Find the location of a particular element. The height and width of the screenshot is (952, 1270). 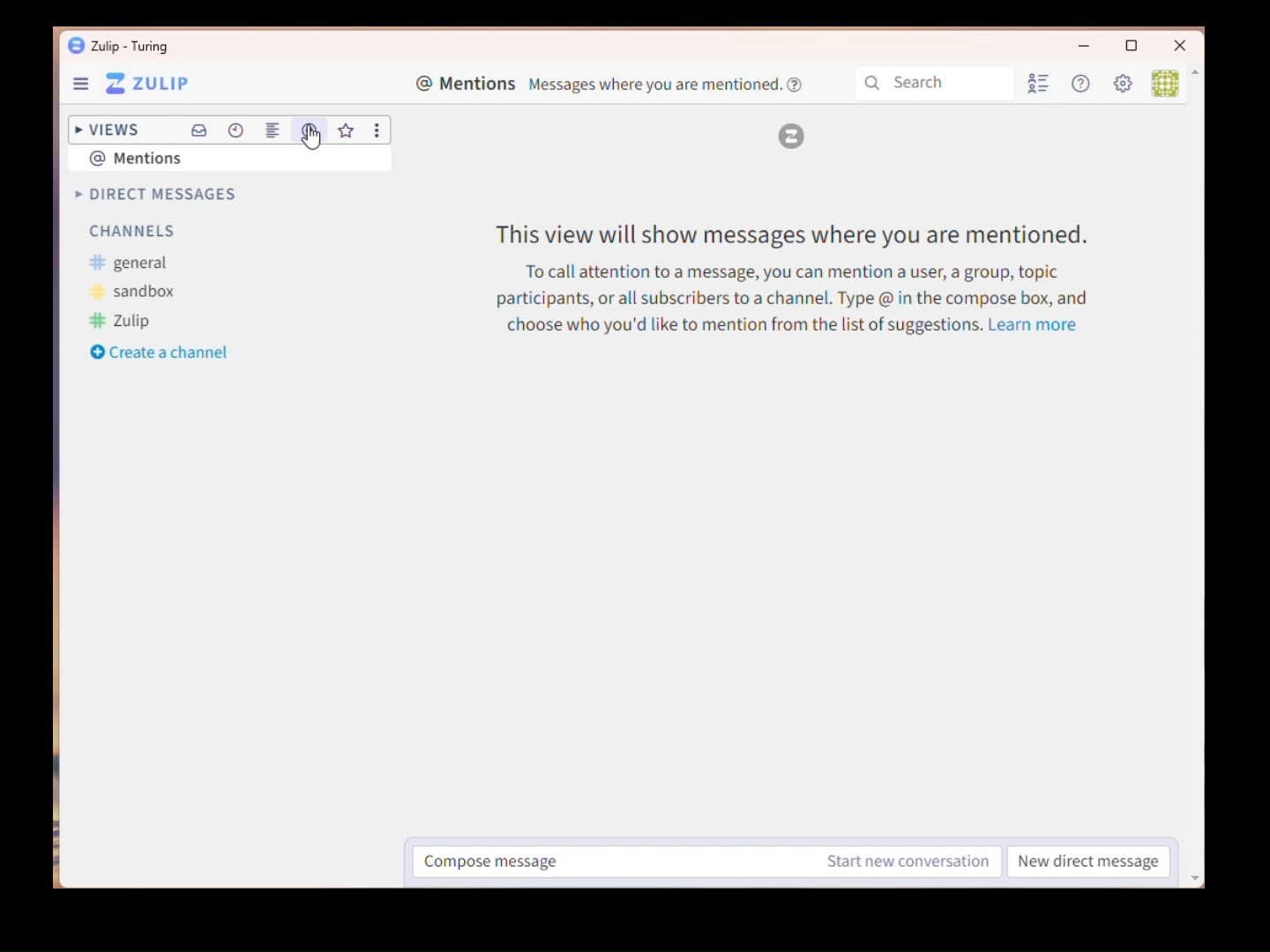

Zulip is located at coordinates (122, 322).